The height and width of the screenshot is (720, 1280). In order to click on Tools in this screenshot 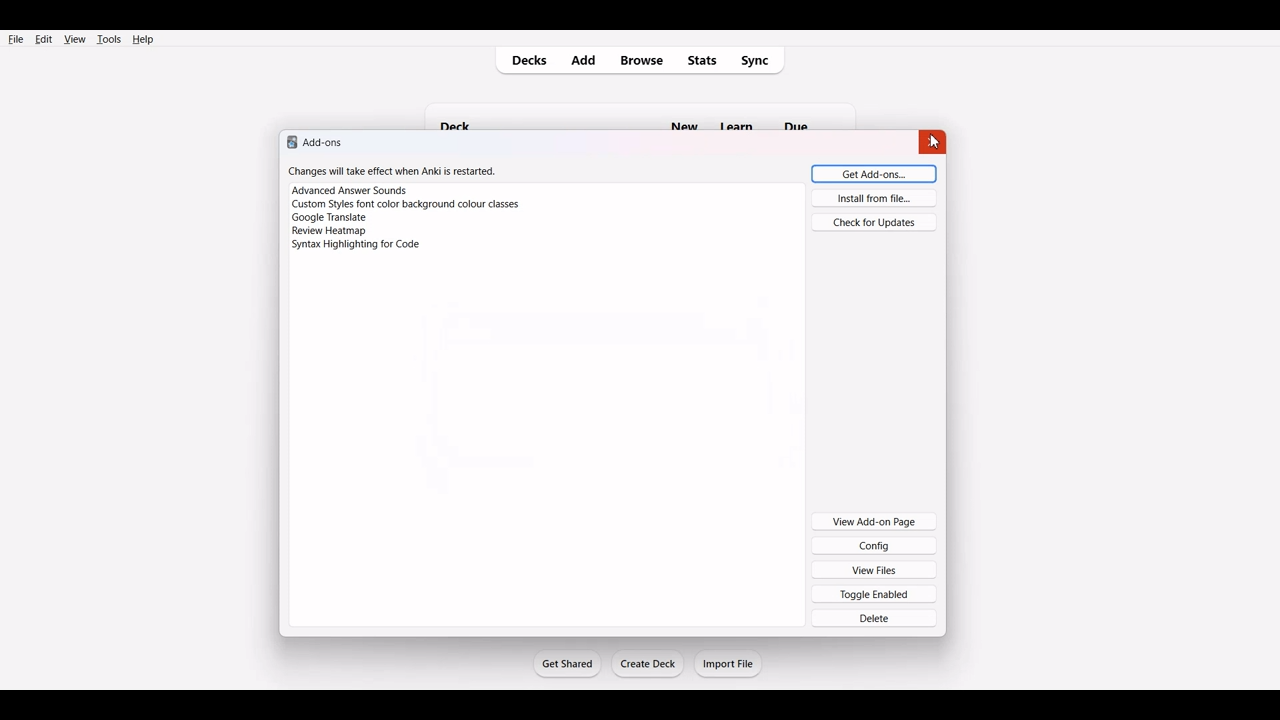, I will do `click(108, 39)`.